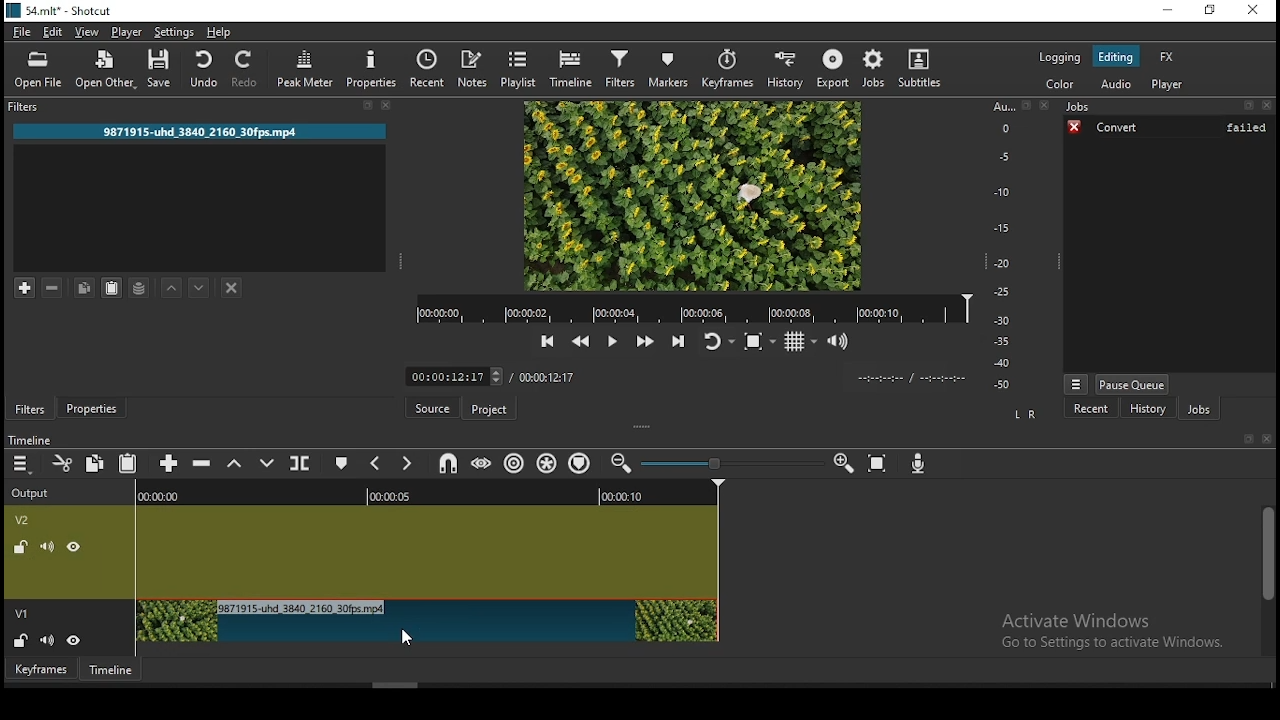  I want to click on timeline menu, so click(21, 465).